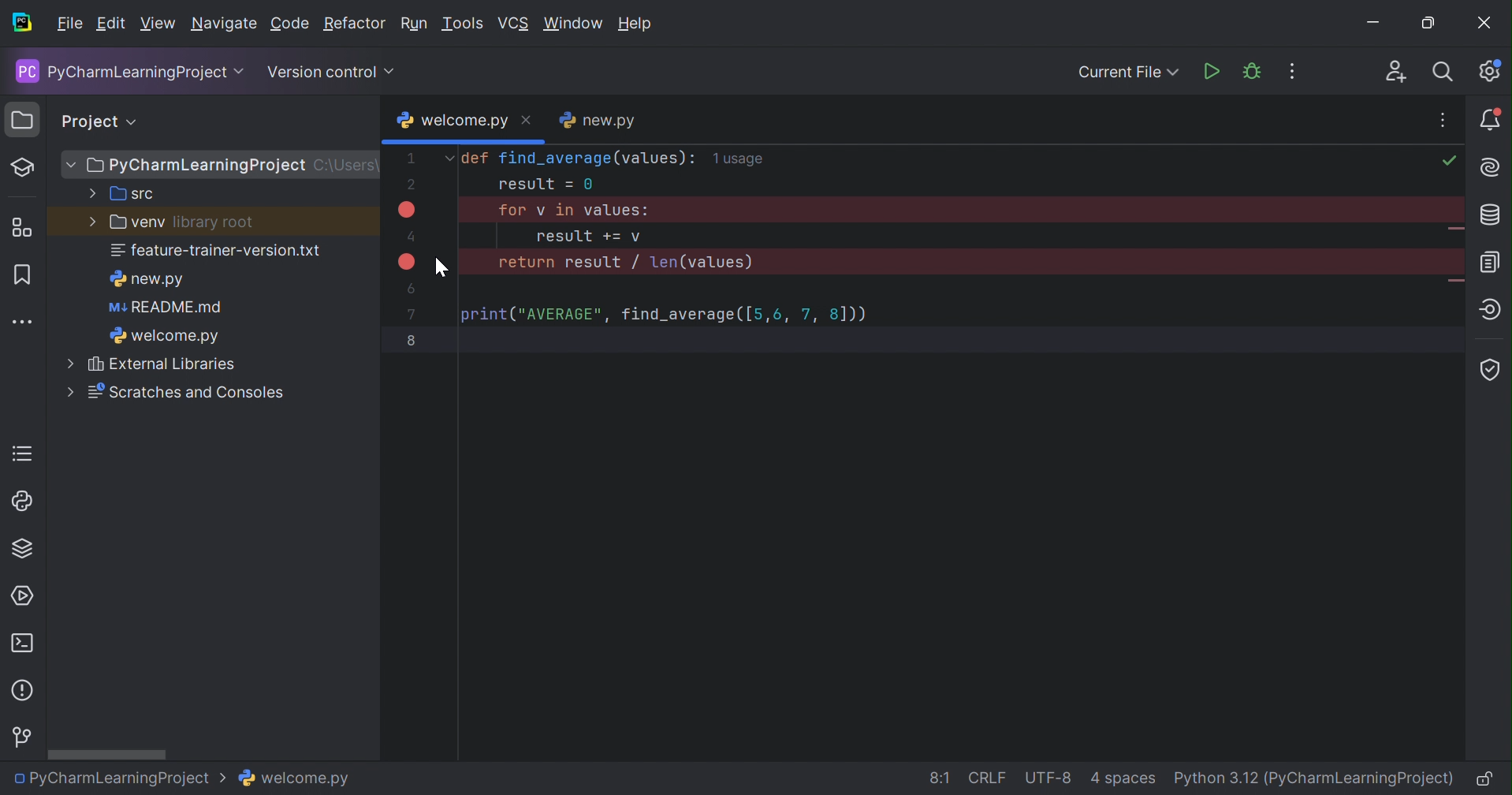 The width and height of the screenshot is (1512, 795). I want to click on c:\Users, so click(348, 165).